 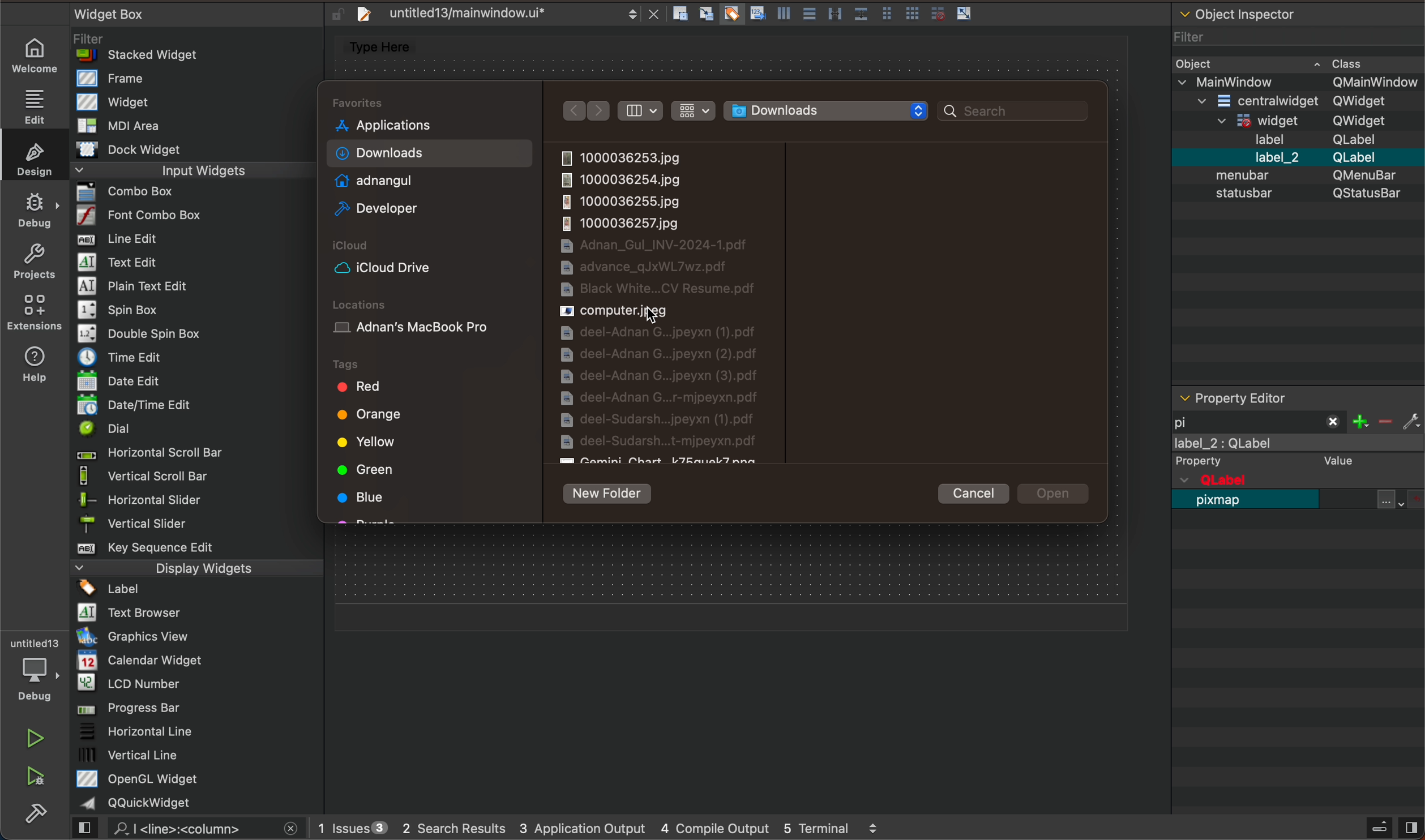 I want to click on back, so click(x=573, y=110).